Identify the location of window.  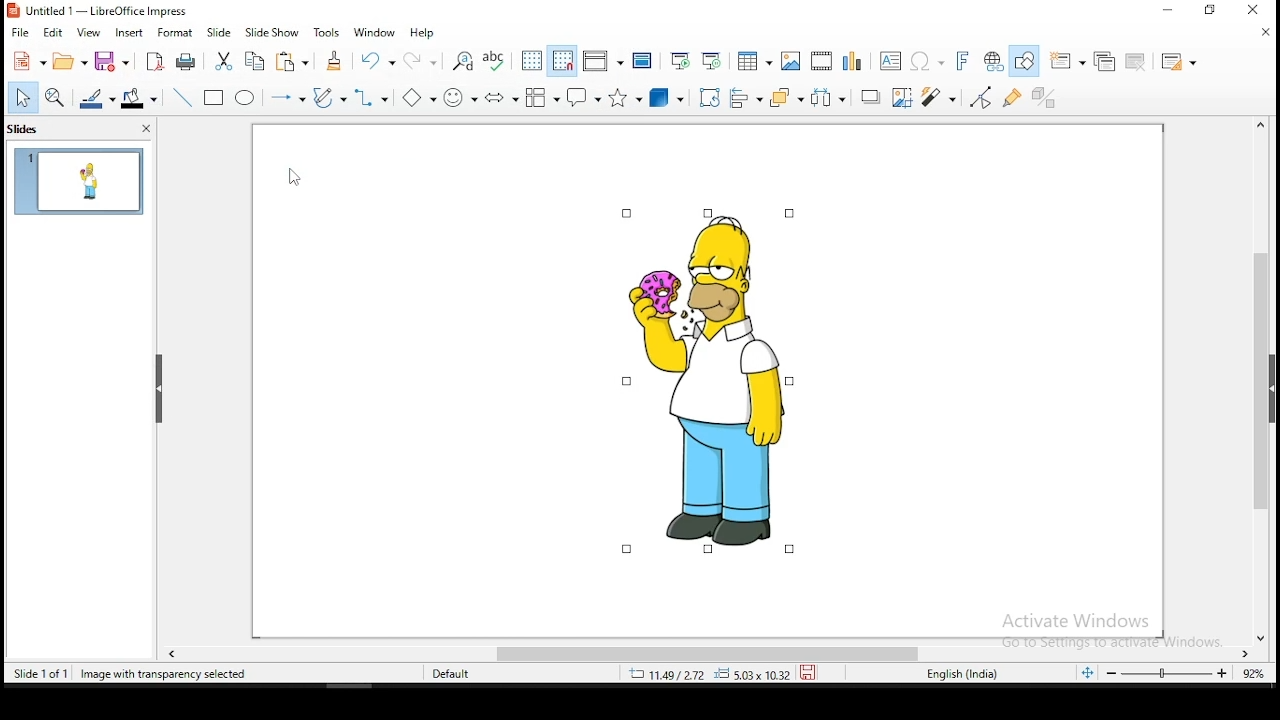
(375, 32).